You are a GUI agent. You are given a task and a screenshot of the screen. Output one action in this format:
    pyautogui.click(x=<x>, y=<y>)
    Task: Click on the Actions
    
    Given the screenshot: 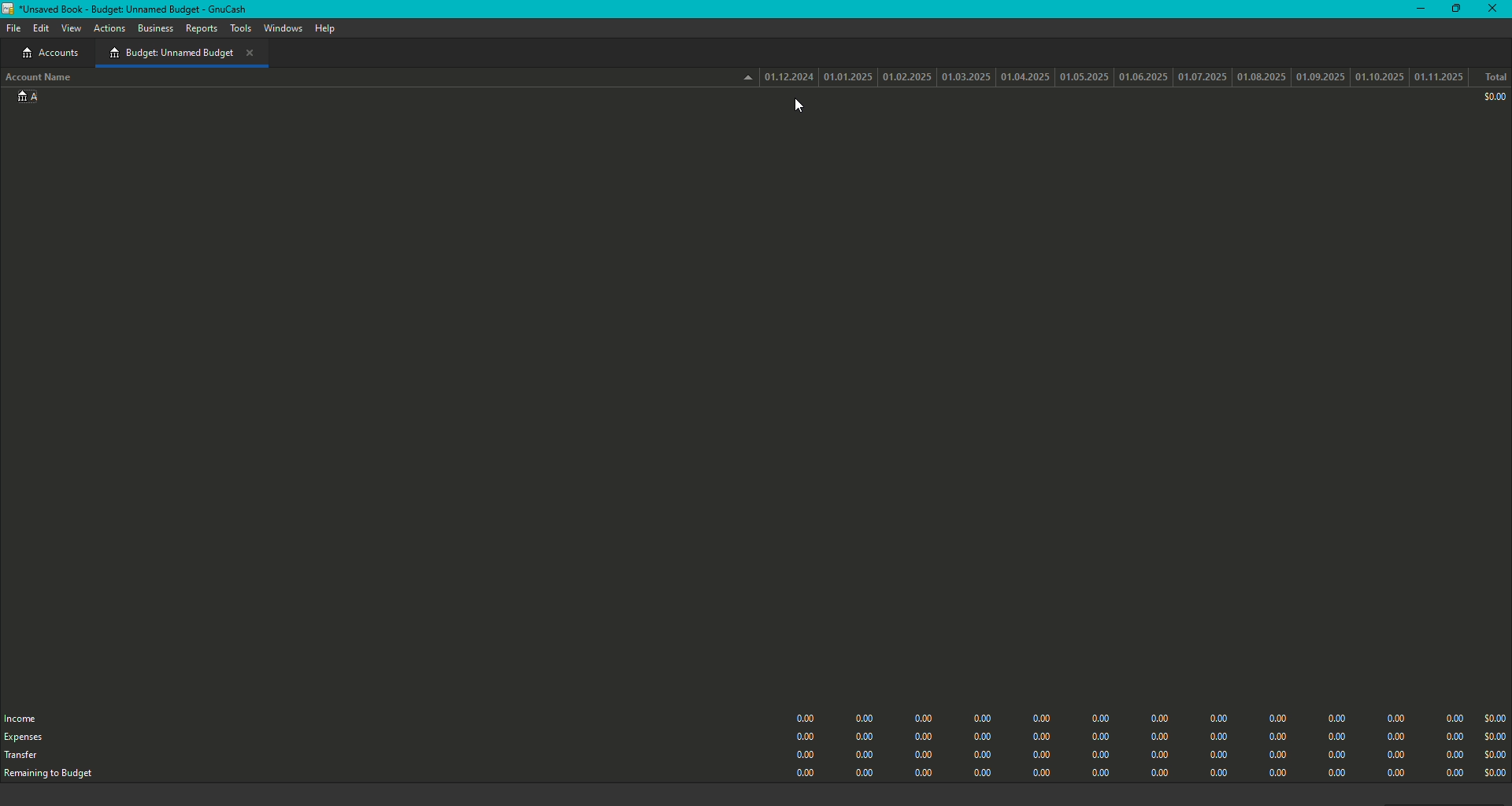 What is the action you would take?
    pyautogui.click(x=110, y=30)
    